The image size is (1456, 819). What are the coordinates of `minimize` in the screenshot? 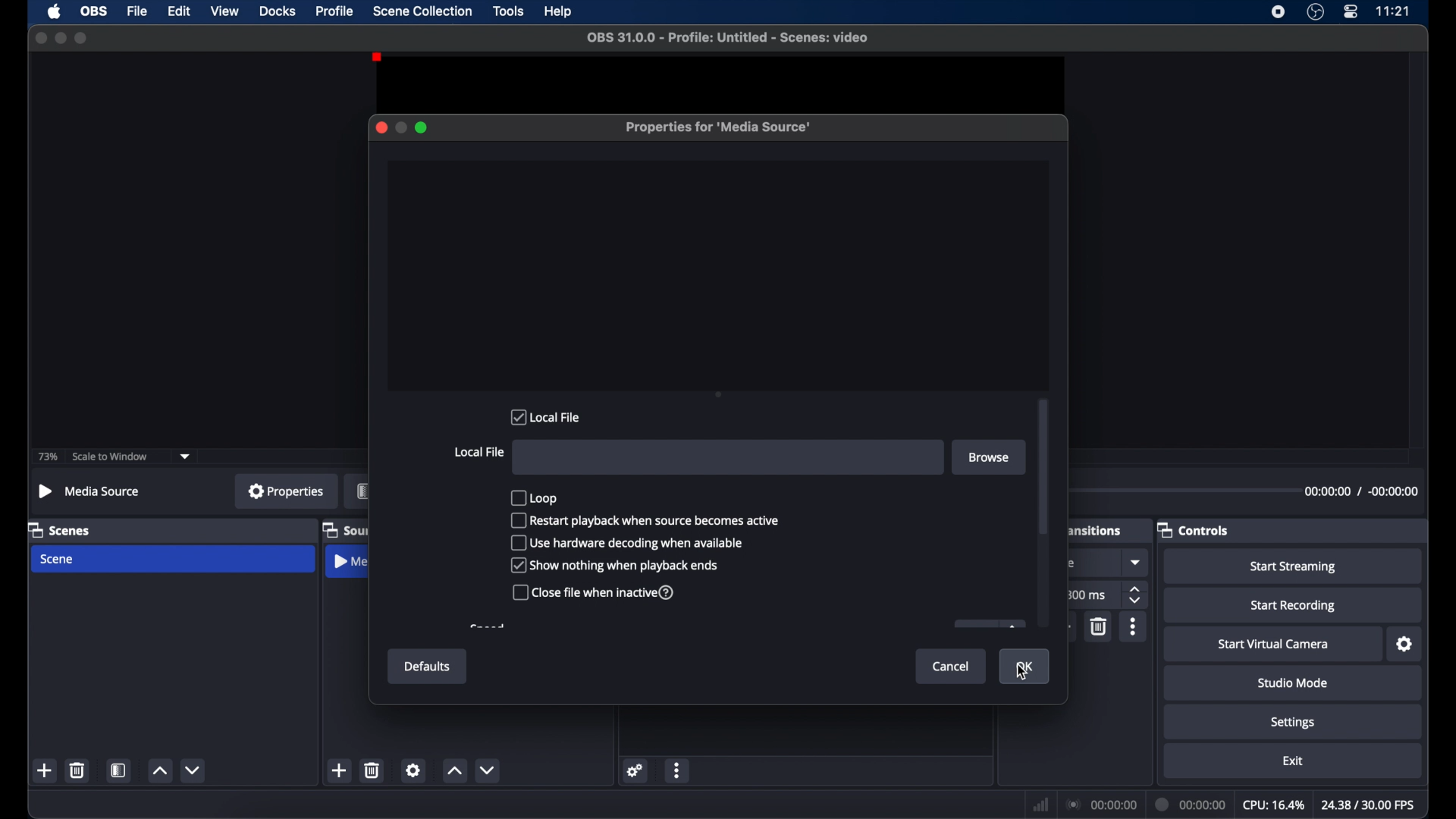 It's located at (60, 38).